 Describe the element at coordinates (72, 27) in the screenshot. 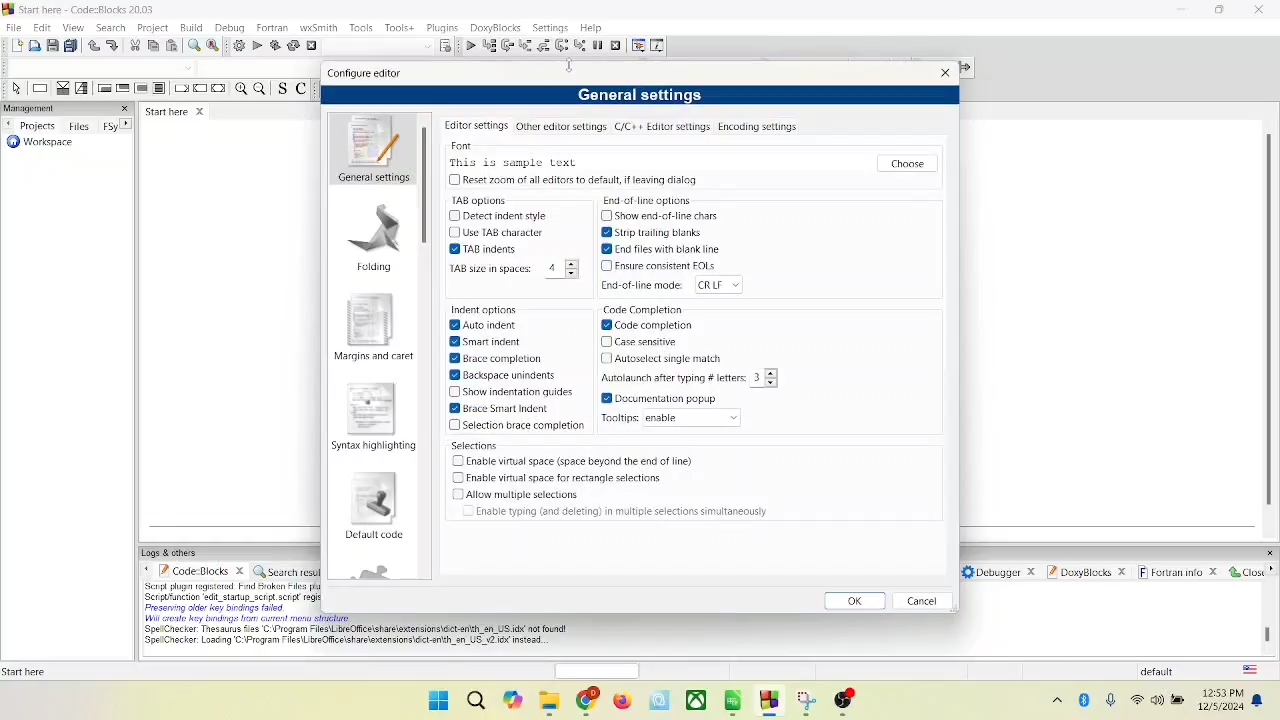

I see `view` at that location.